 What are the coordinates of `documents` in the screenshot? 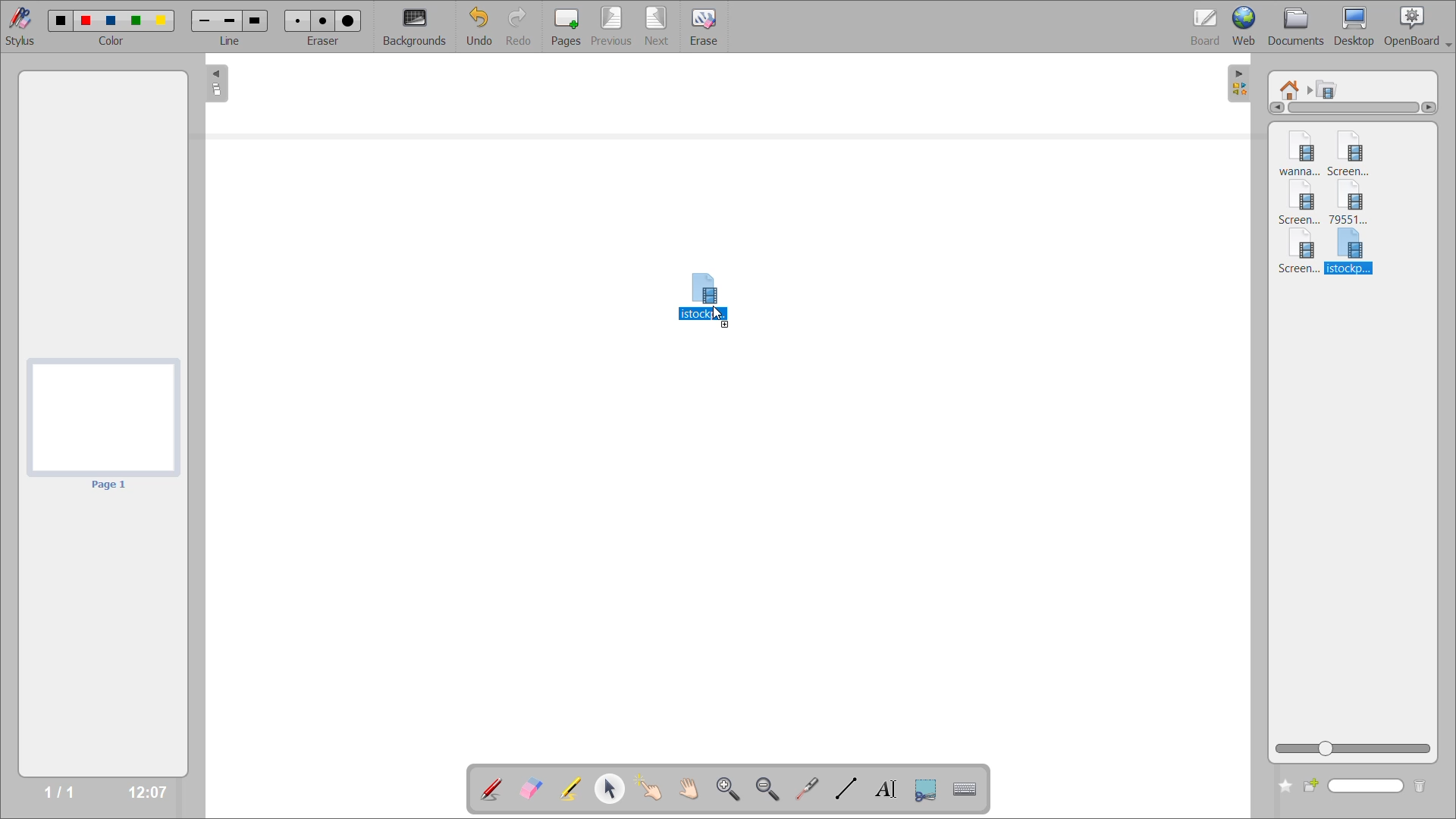 It's located at (1298, 26).